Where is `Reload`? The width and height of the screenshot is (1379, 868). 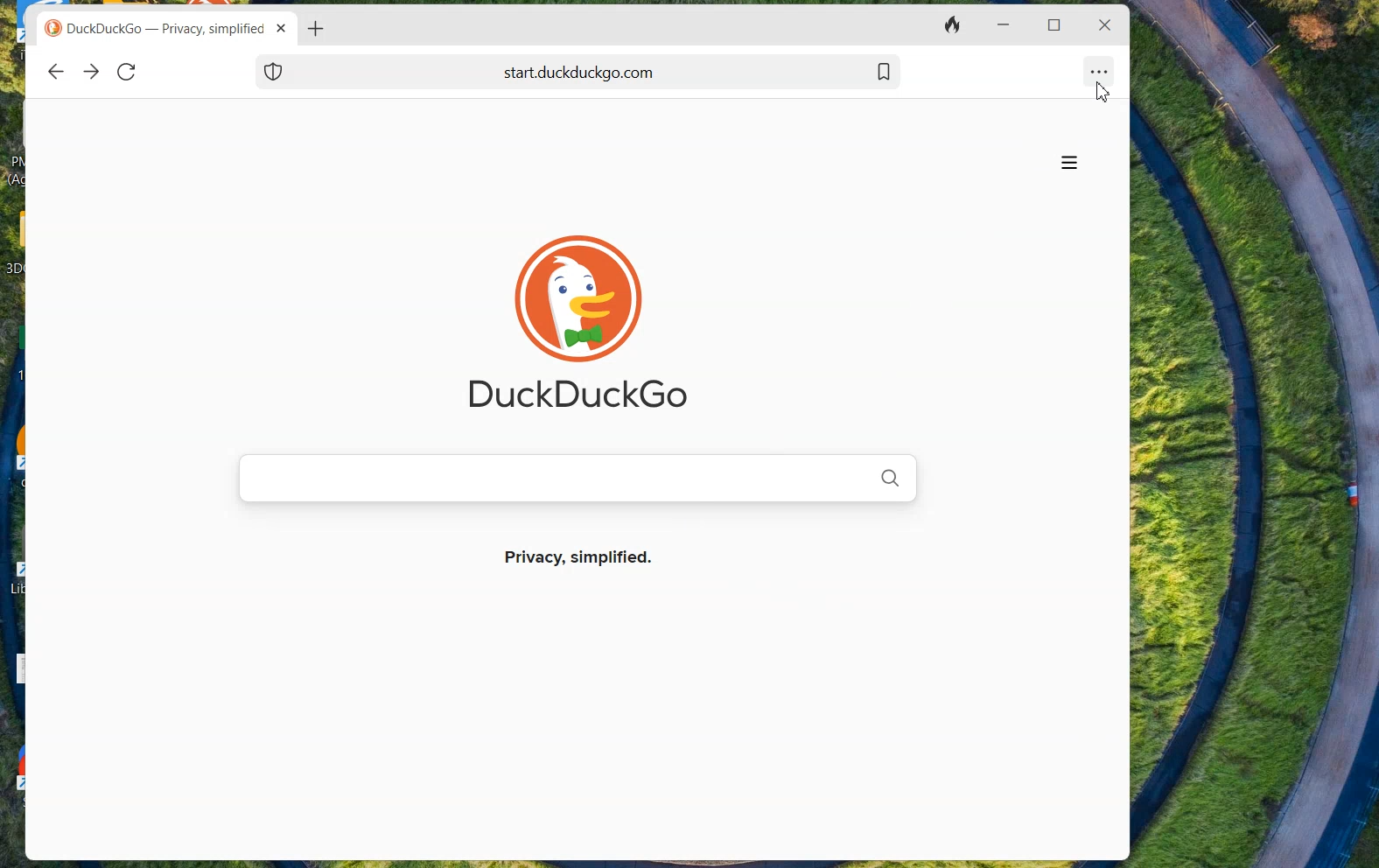 Reload is located at coordinates (127, 71).